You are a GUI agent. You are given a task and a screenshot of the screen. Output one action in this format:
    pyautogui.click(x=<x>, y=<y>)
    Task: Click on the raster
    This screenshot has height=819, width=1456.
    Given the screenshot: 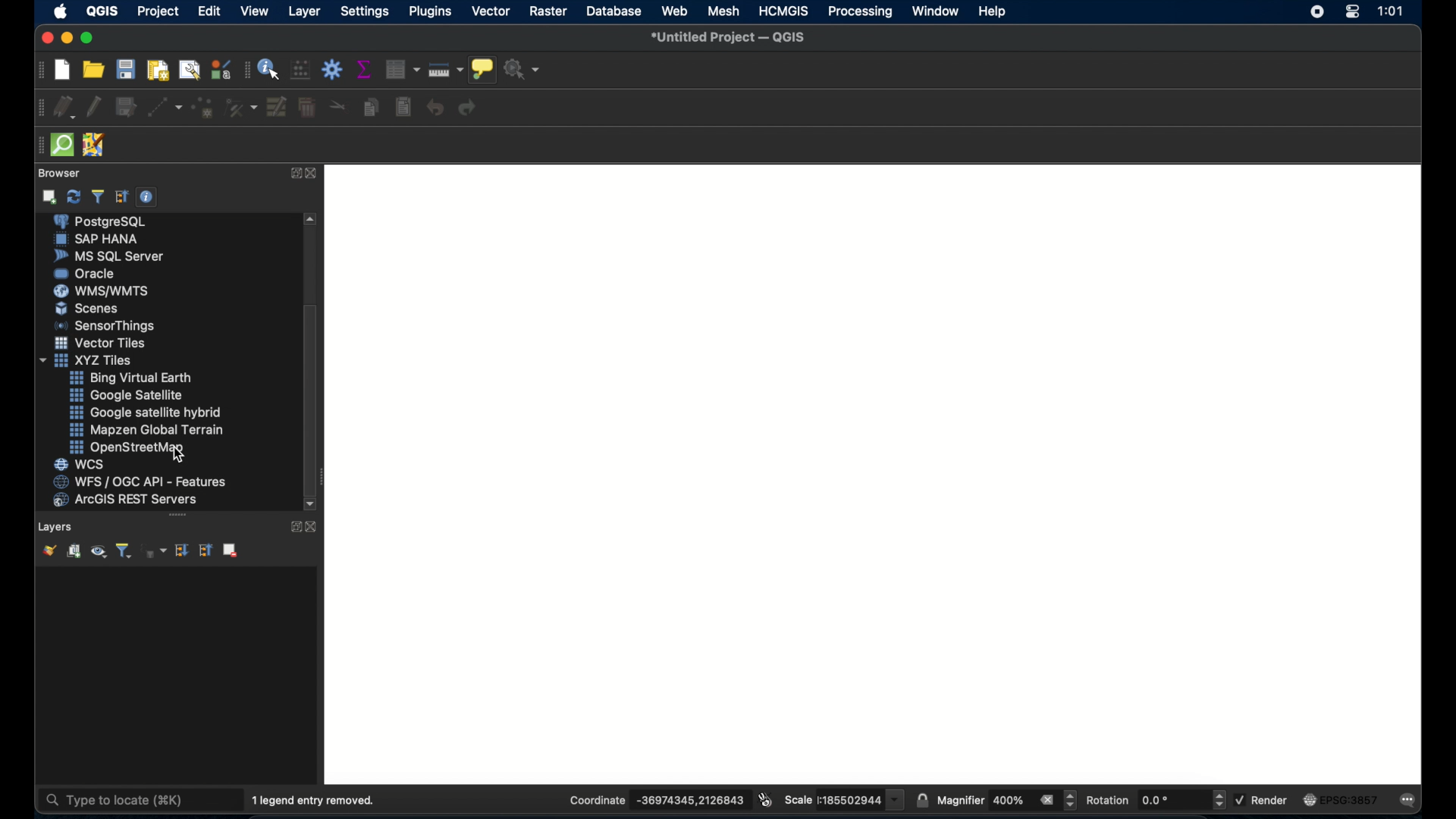 What is the action you would take?
    pyautogui.click(x=548, y=11)
    